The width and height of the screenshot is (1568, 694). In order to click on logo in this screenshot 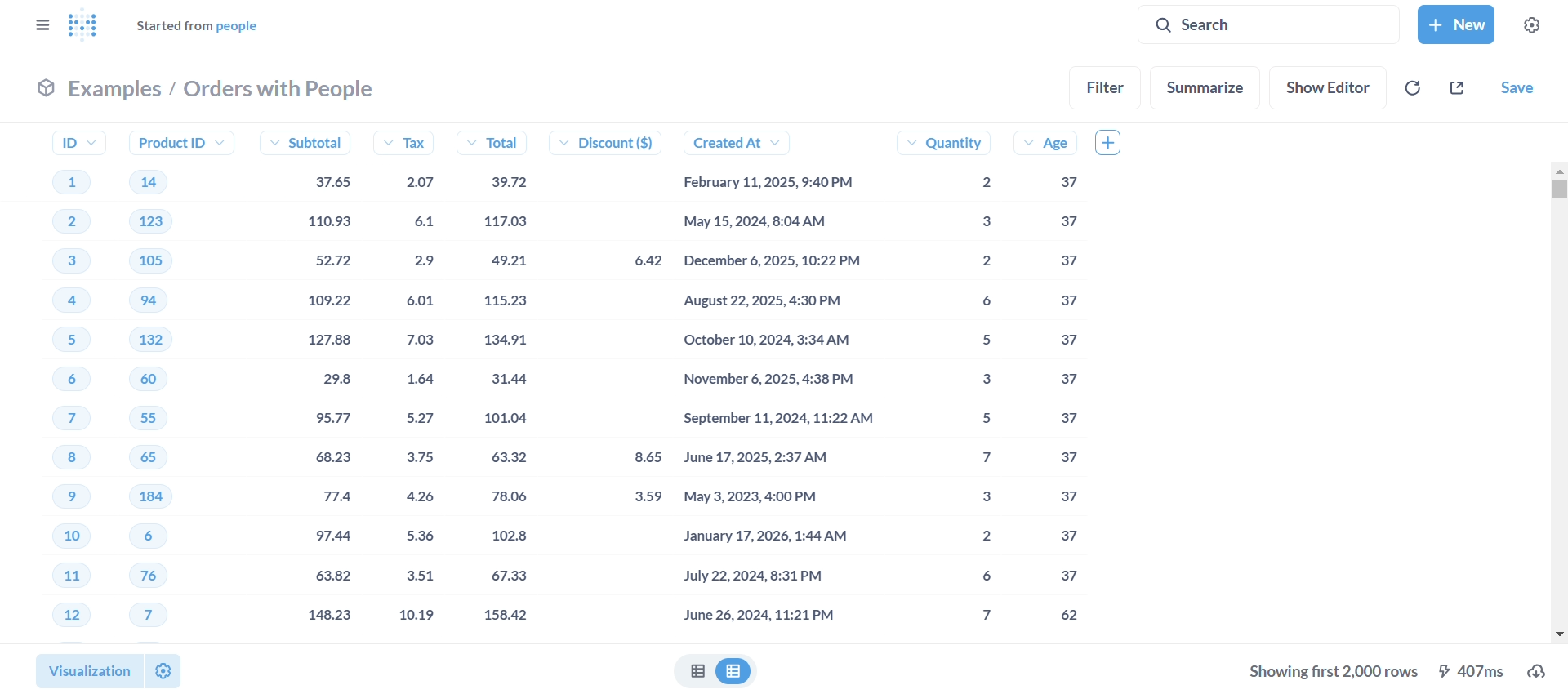, I will do `click(91, 26)`.